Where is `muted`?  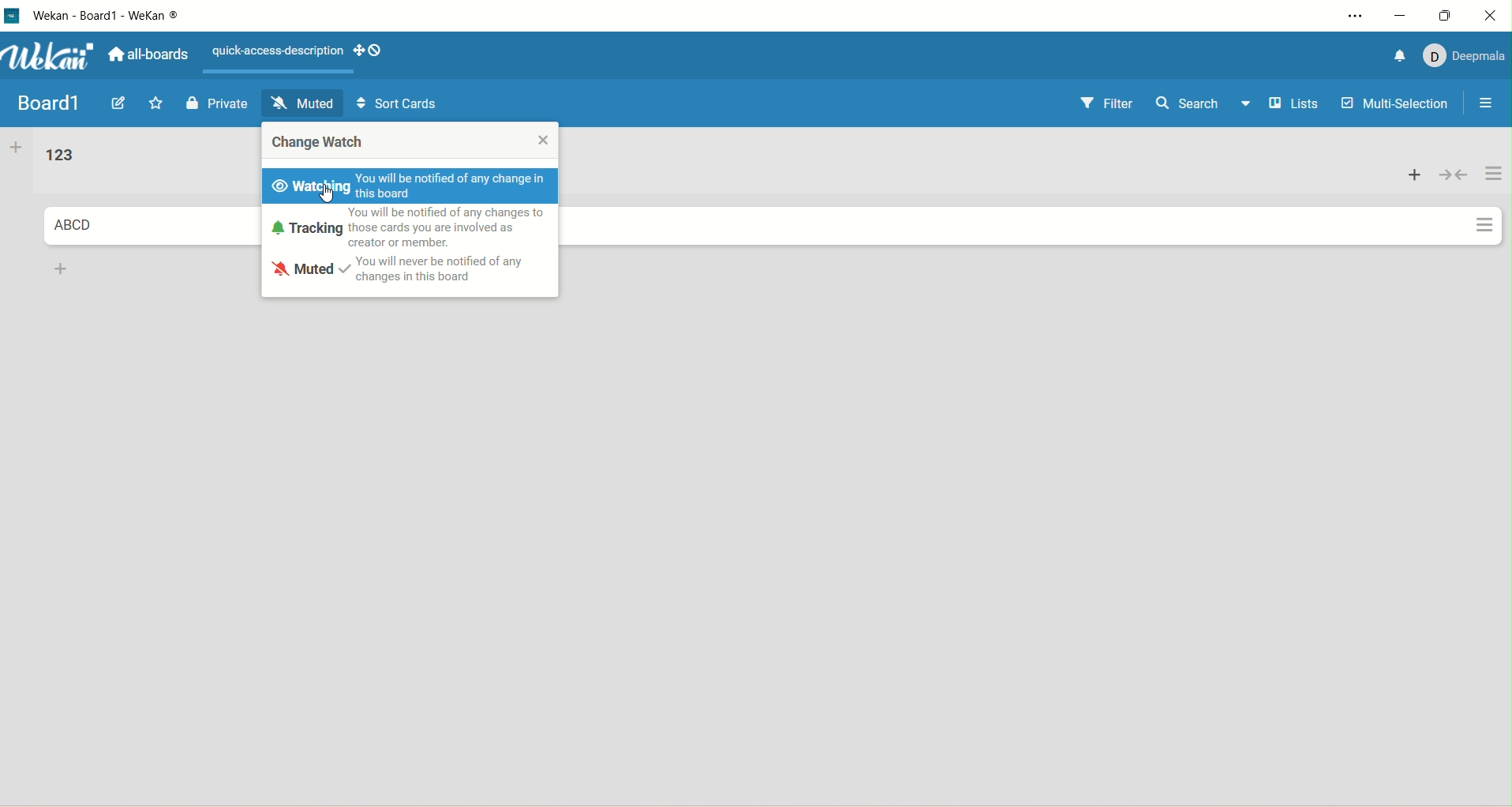
muted is located at coordinates (305, 103).